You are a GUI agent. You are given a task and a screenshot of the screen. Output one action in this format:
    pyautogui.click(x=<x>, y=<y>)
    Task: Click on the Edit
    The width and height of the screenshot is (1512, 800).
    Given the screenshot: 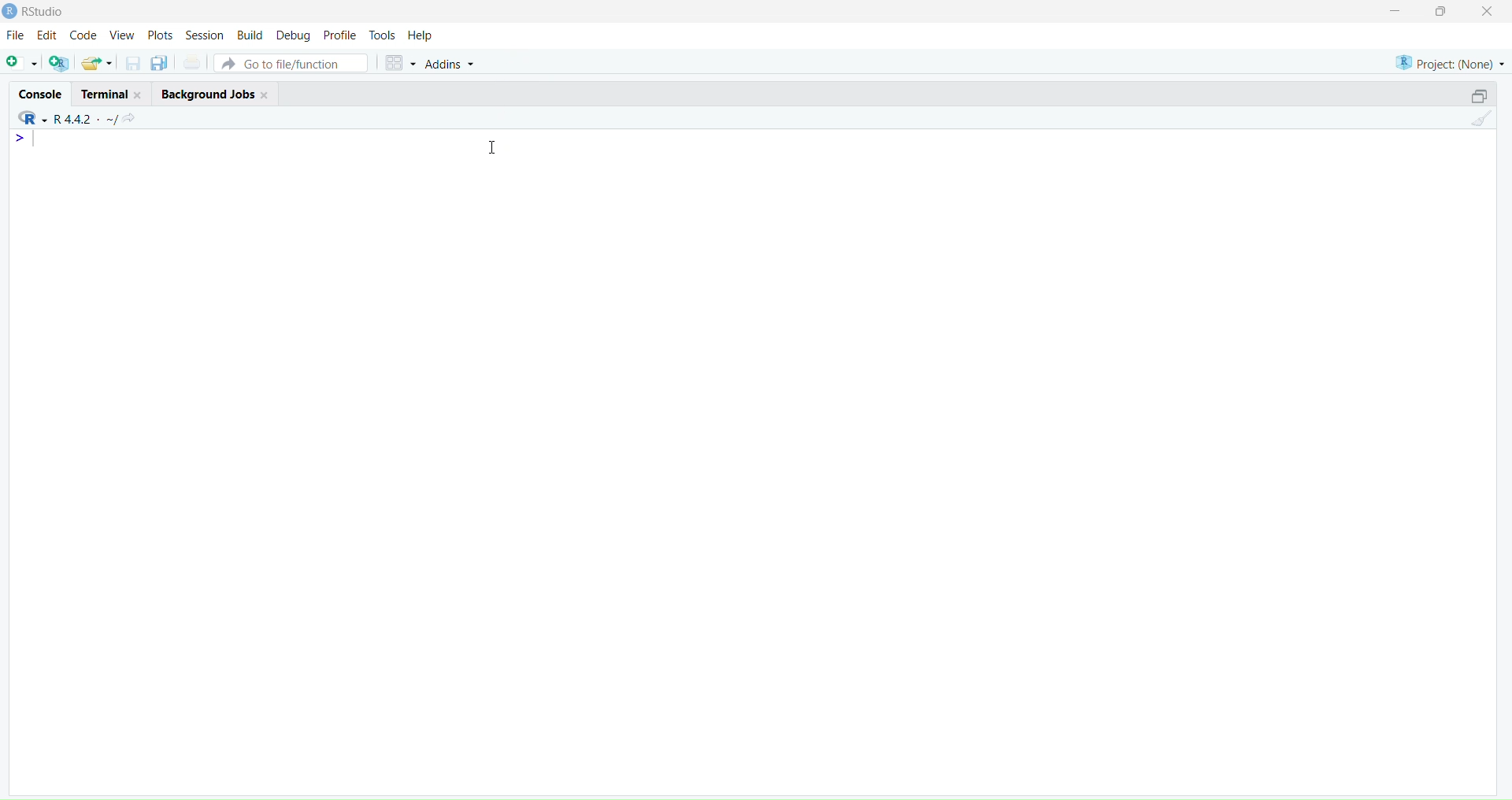 What is the action you would take?
    pyautogui.click(x=49, y=35)
    